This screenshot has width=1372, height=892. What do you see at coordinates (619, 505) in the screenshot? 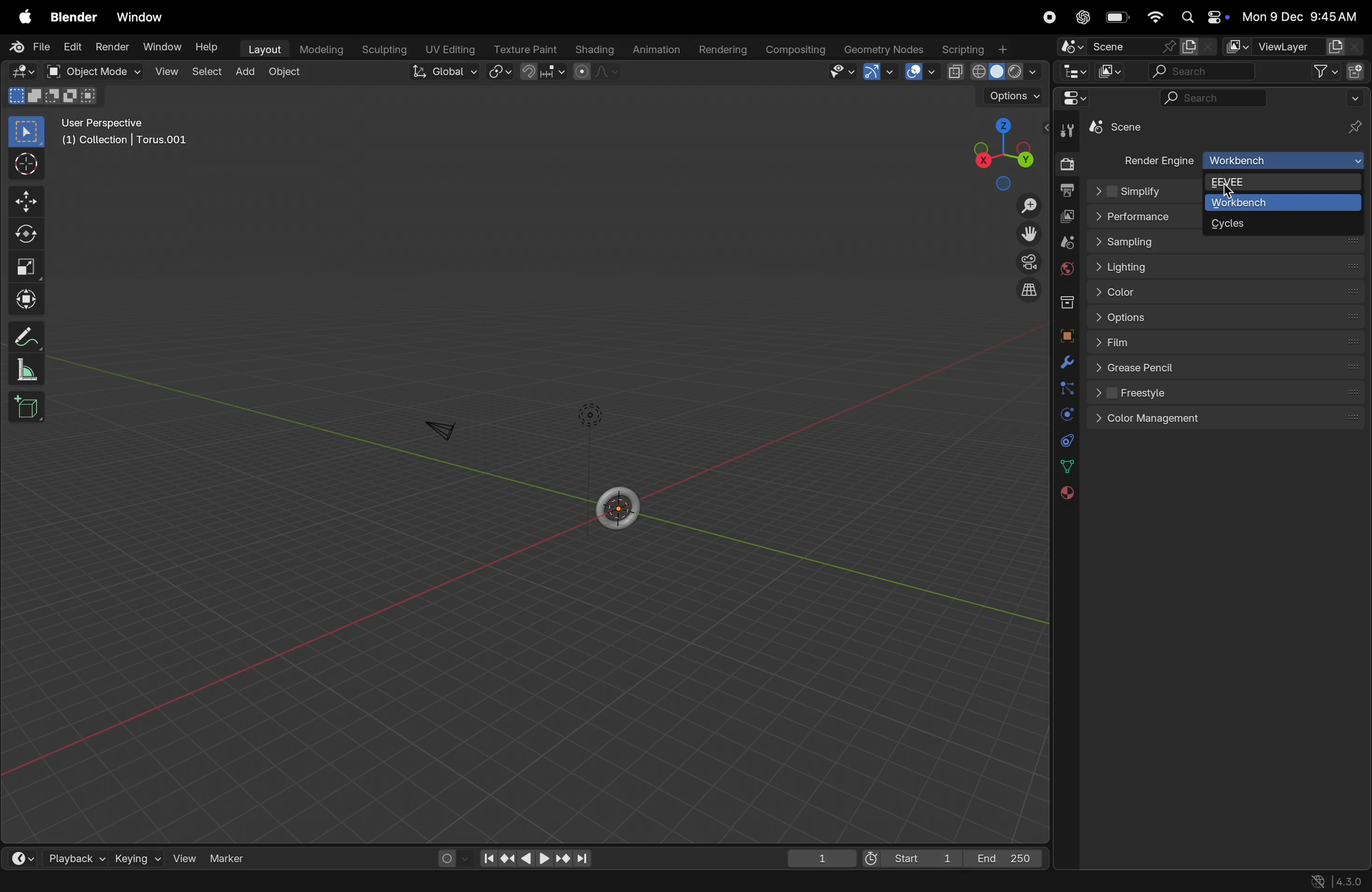
I see `torus` at bounding box center [619, 505].